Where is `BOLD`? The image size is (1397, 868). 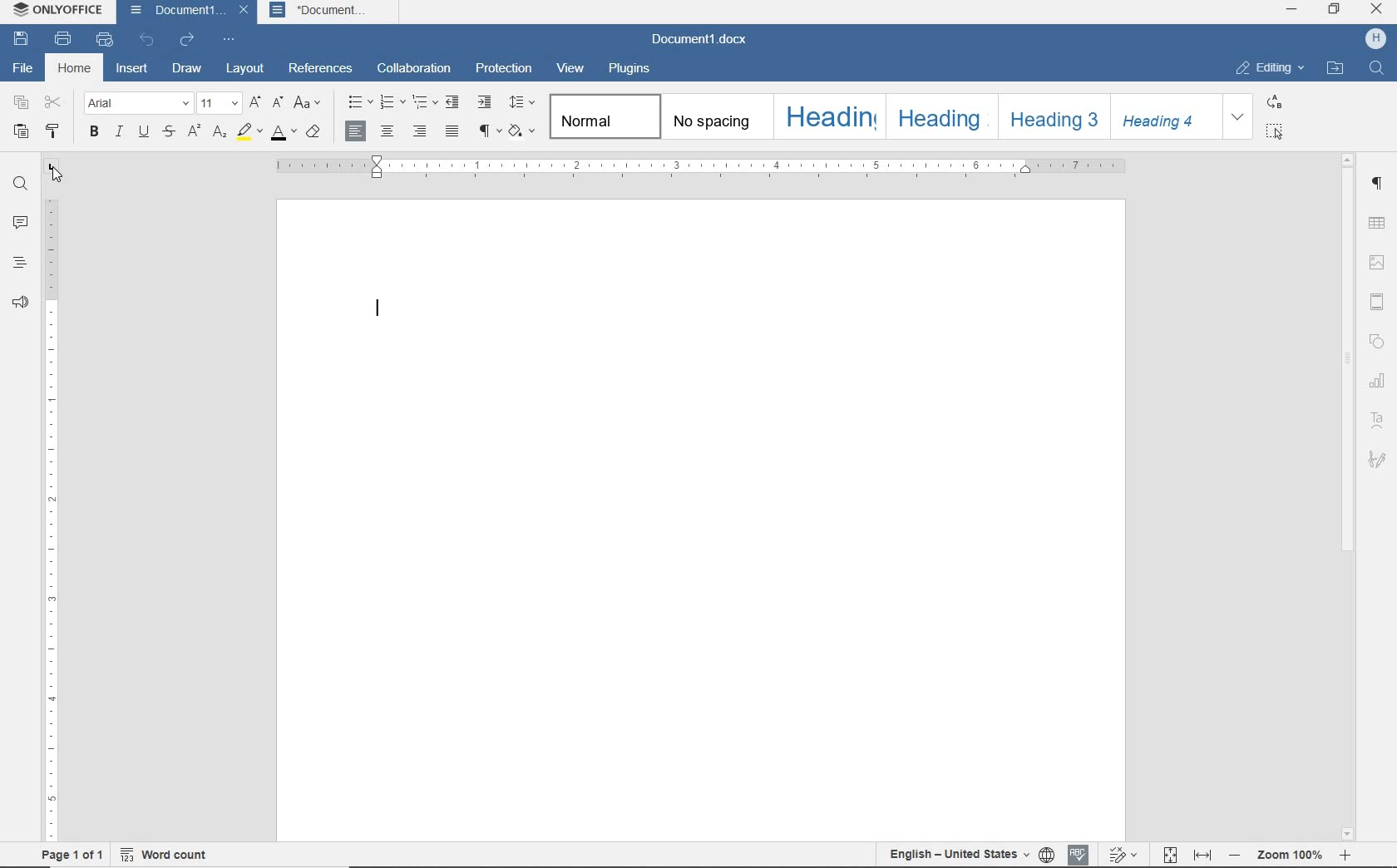 BOLD is located at coordinates (94, 133).